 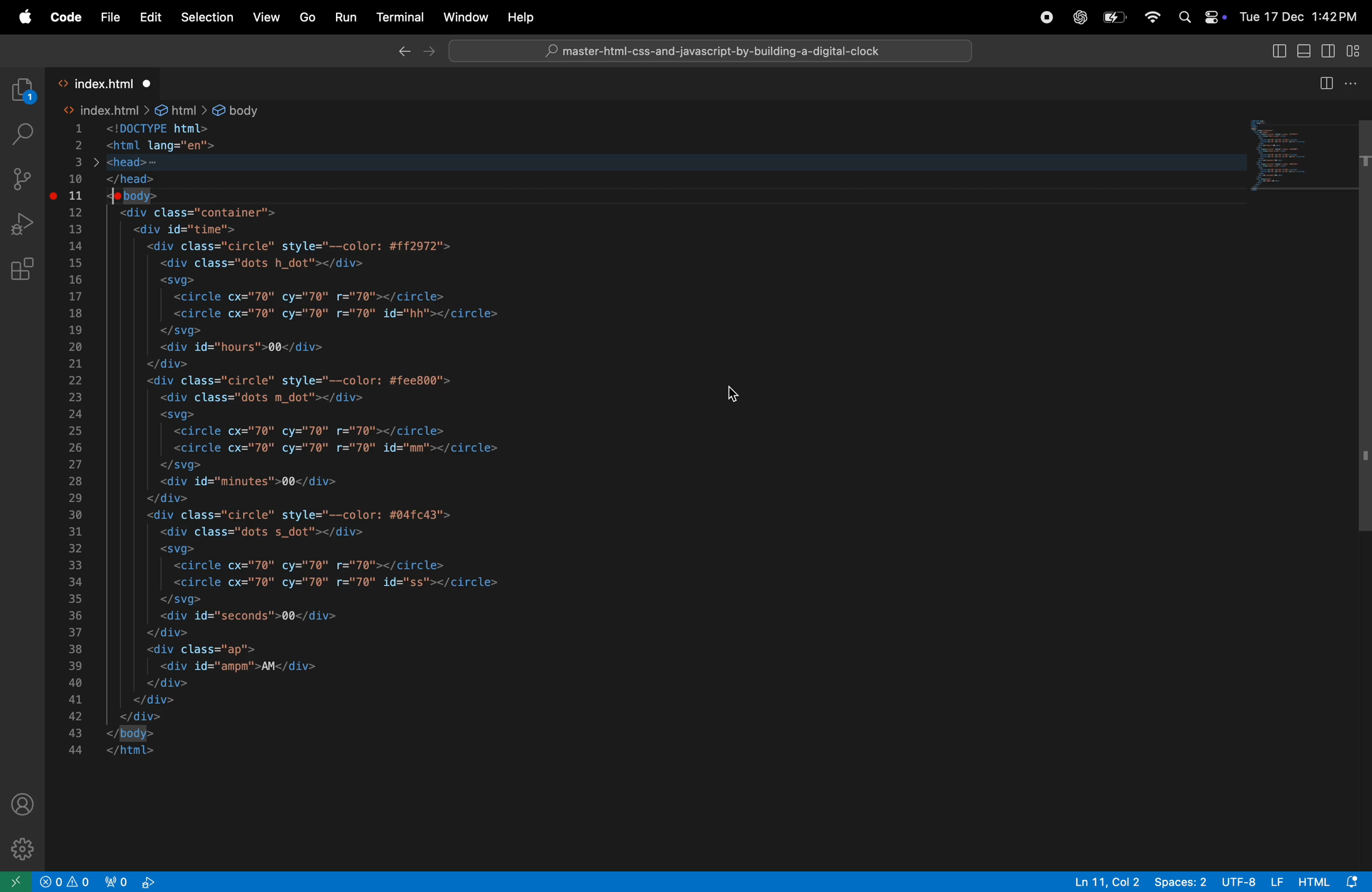 I want to click on view, so click(x=1354, y=51).